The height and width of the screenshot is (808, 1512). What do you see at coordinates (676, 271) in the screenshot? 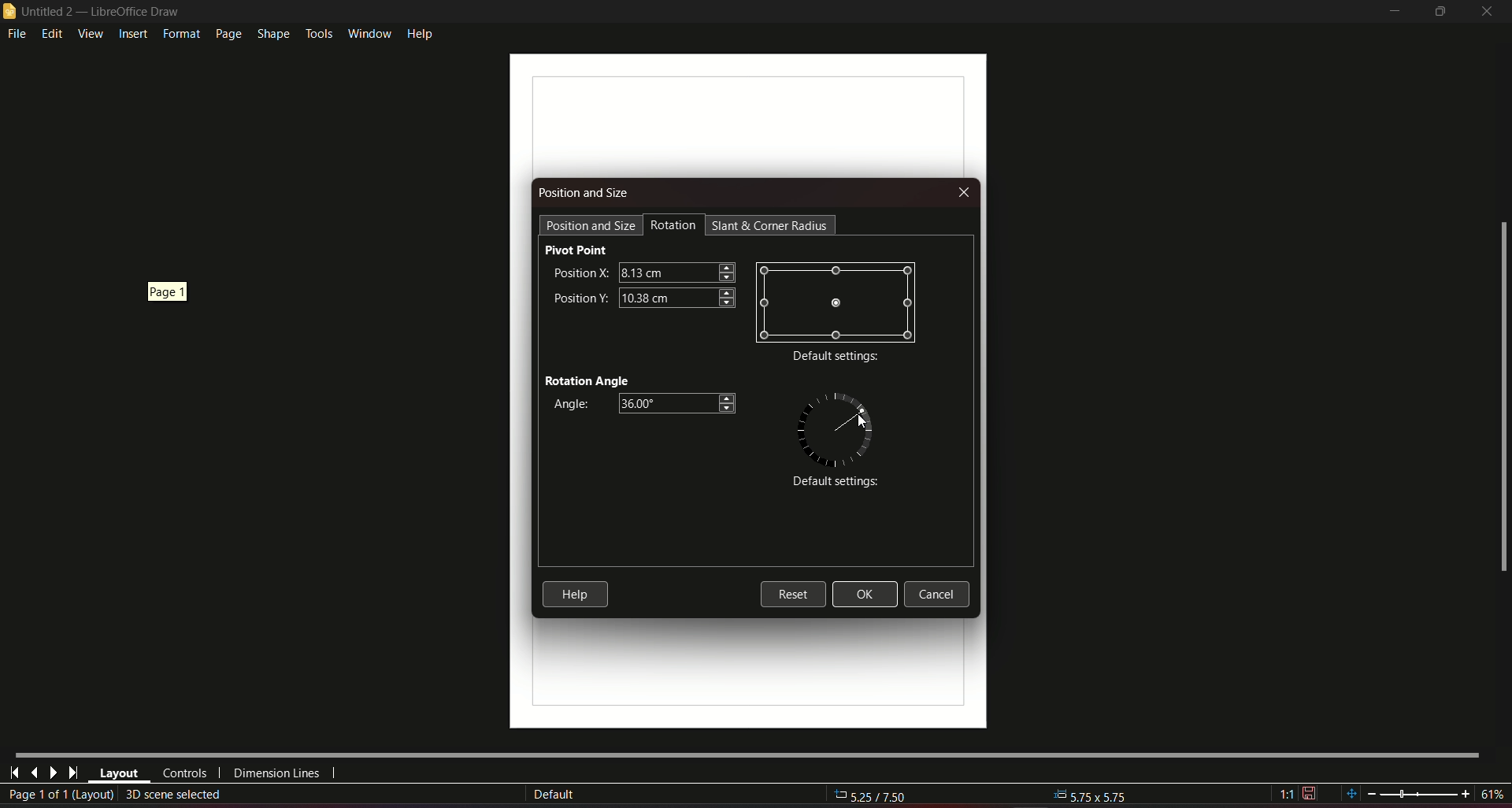
I see `textbox` at bounding box center [676, 271].